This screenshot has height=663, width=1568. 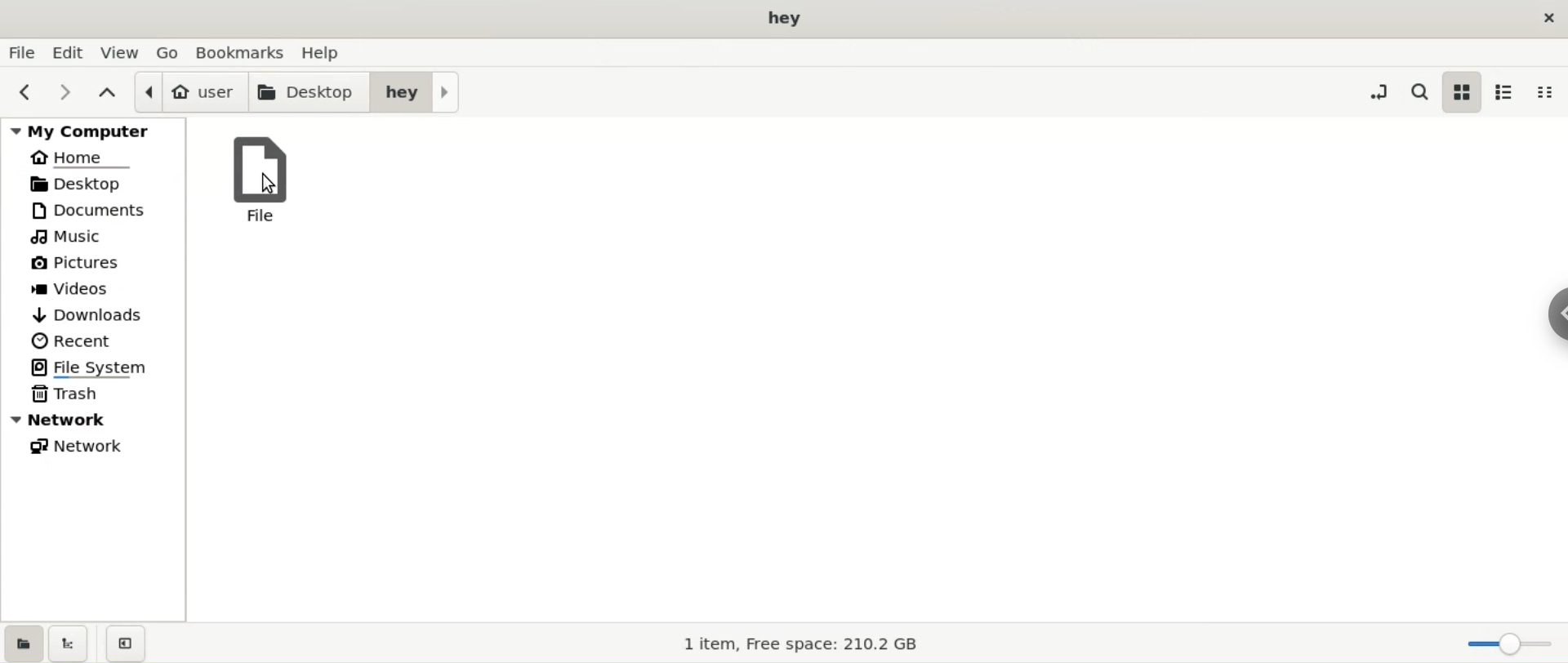 What do you see at coordinates (93, 394) in the screenshot?
I see `trash` at bounding box center [93, 394].